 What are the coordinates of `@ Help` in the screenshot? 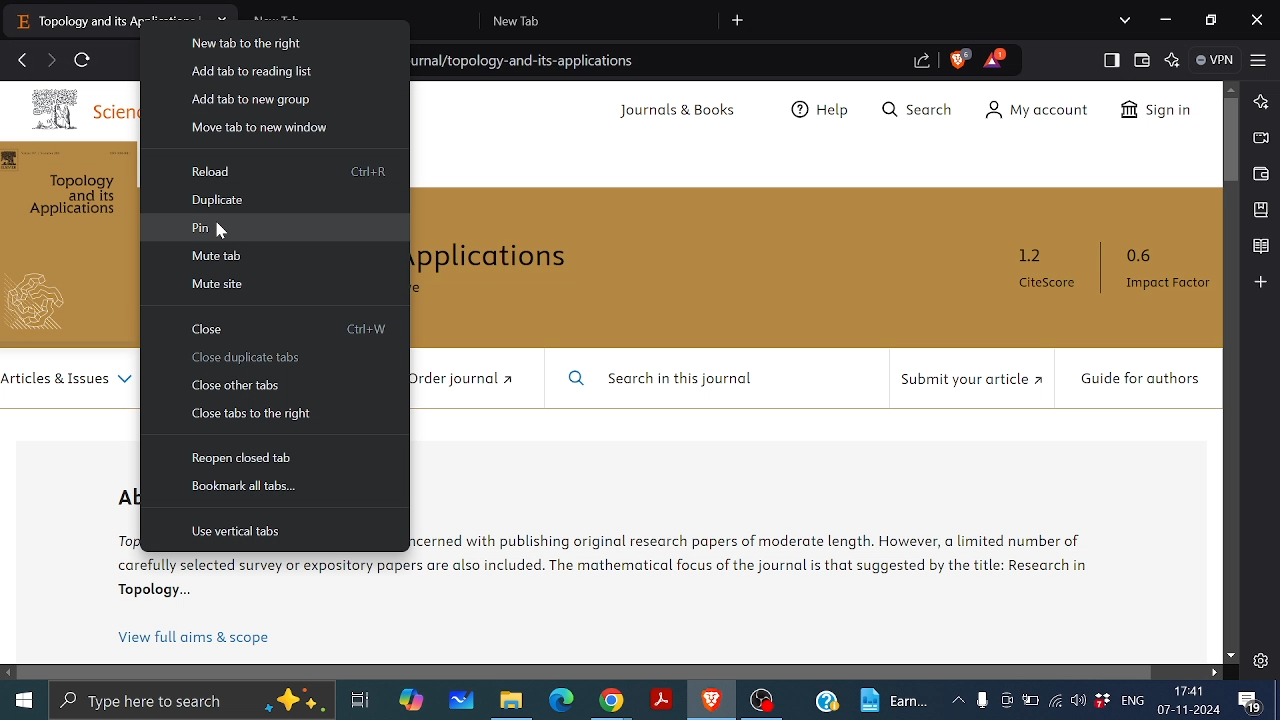 It's located at (822, 112).